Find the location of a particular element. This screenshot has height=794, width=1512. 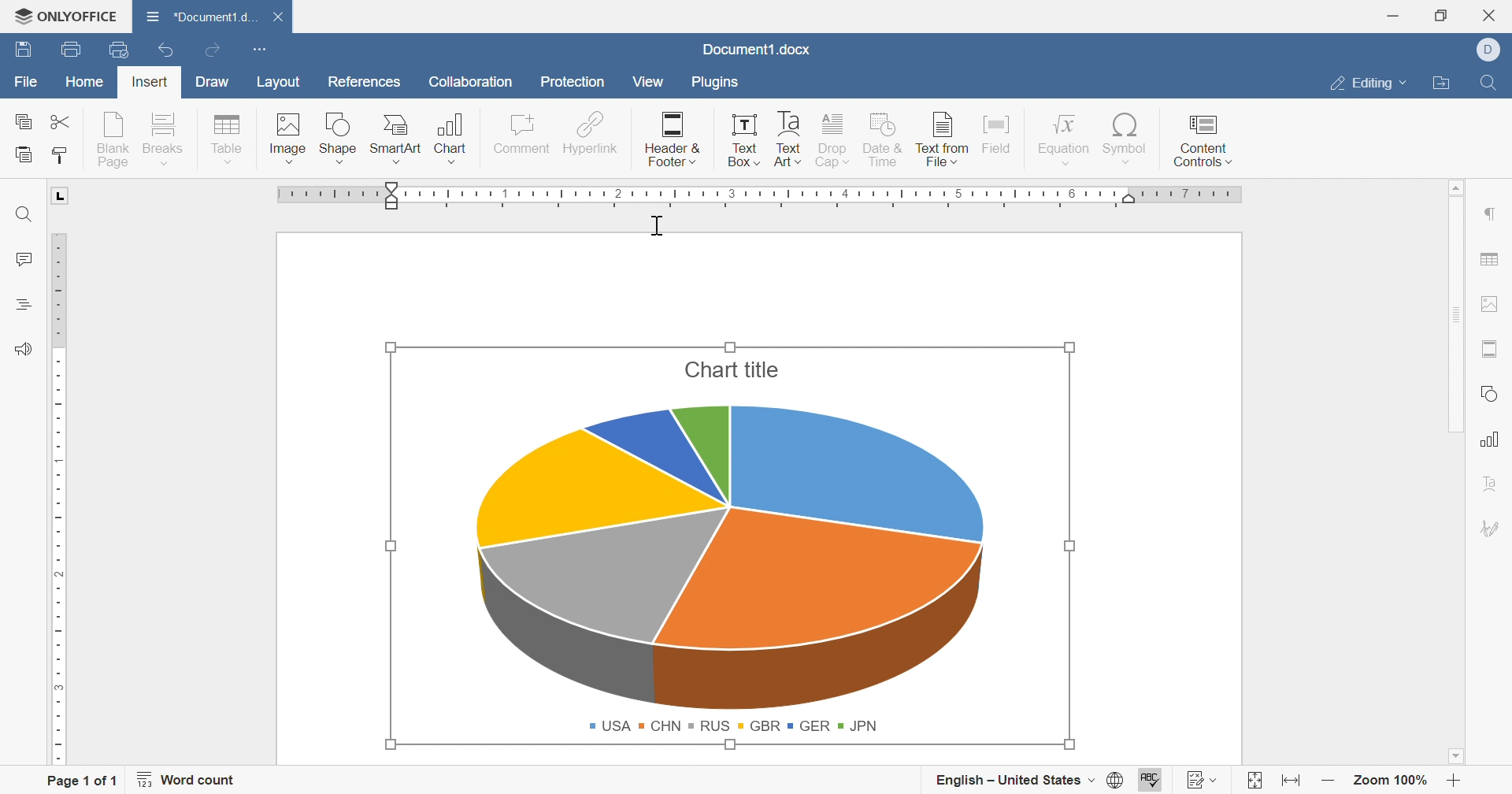

Undo is located at coordinates (164, 50).